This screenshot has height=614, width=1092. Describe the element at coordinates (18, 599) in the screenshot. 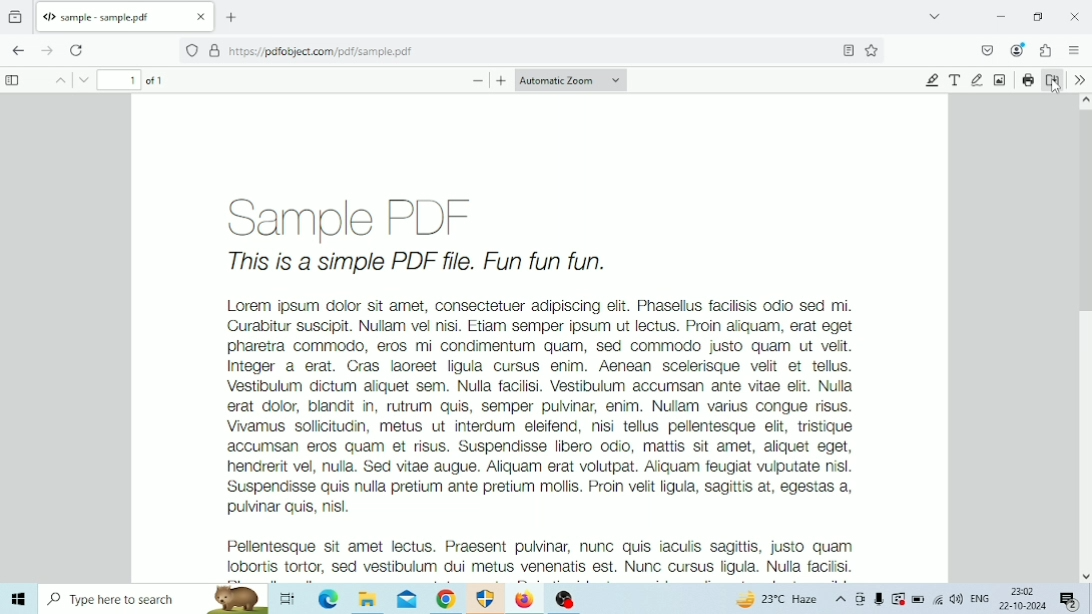

I see `Windows` at that location.